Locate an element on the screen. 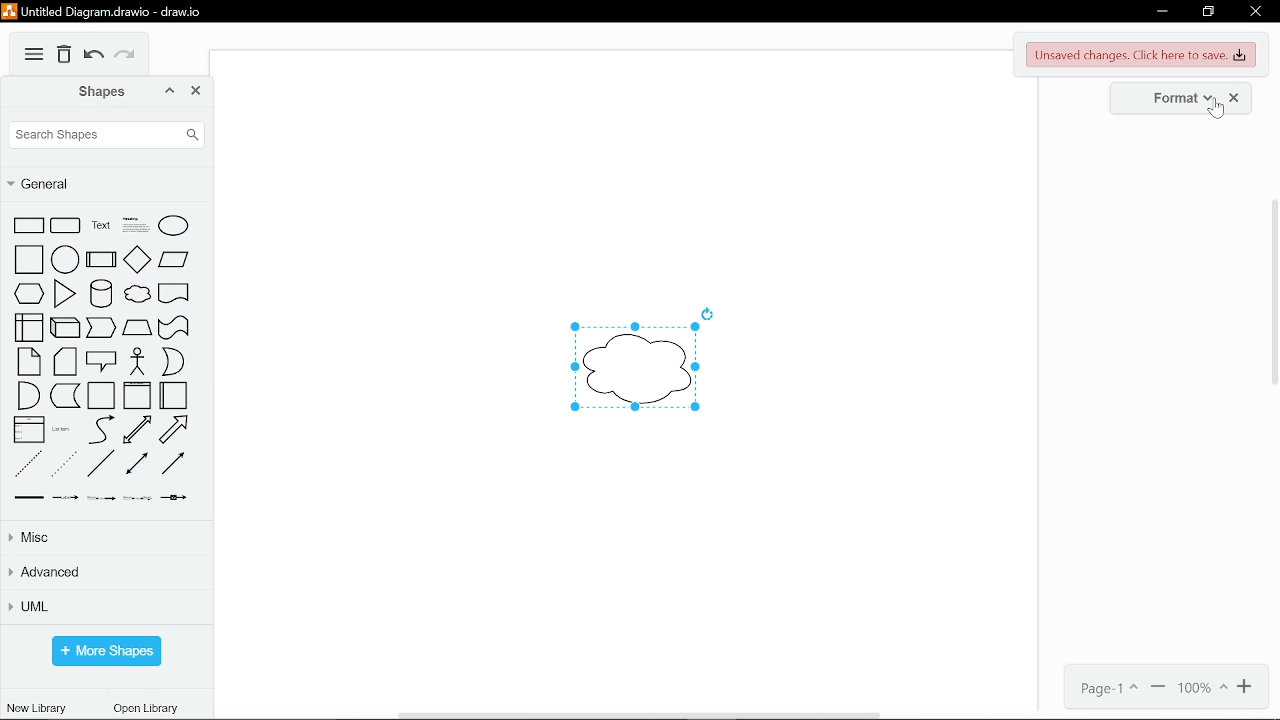 This screenshot has width=1280, height=720. and is located at coordinates (28, 396).